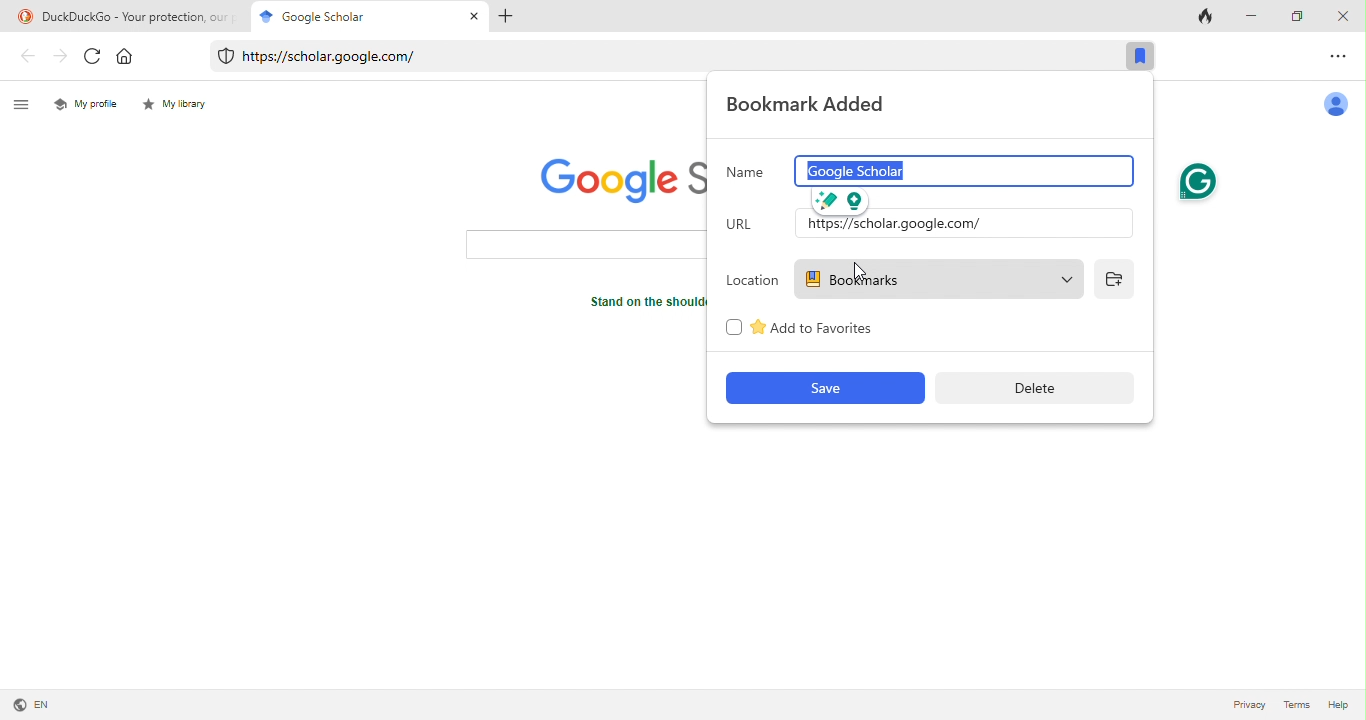 This screenshot has width=1366, height=720. I want to click on google scholar logo, so click(614, 180).